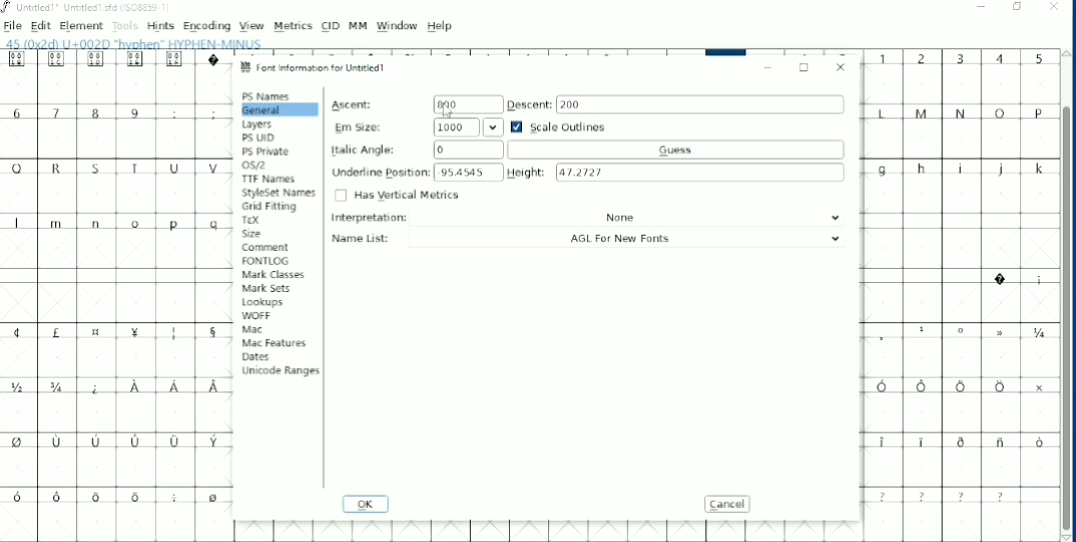 This screenshot has height=542, width=1076. What do you see at coordinates (358, 26) in the screenshot?
I see `MM` at bounding box center [358, 26].